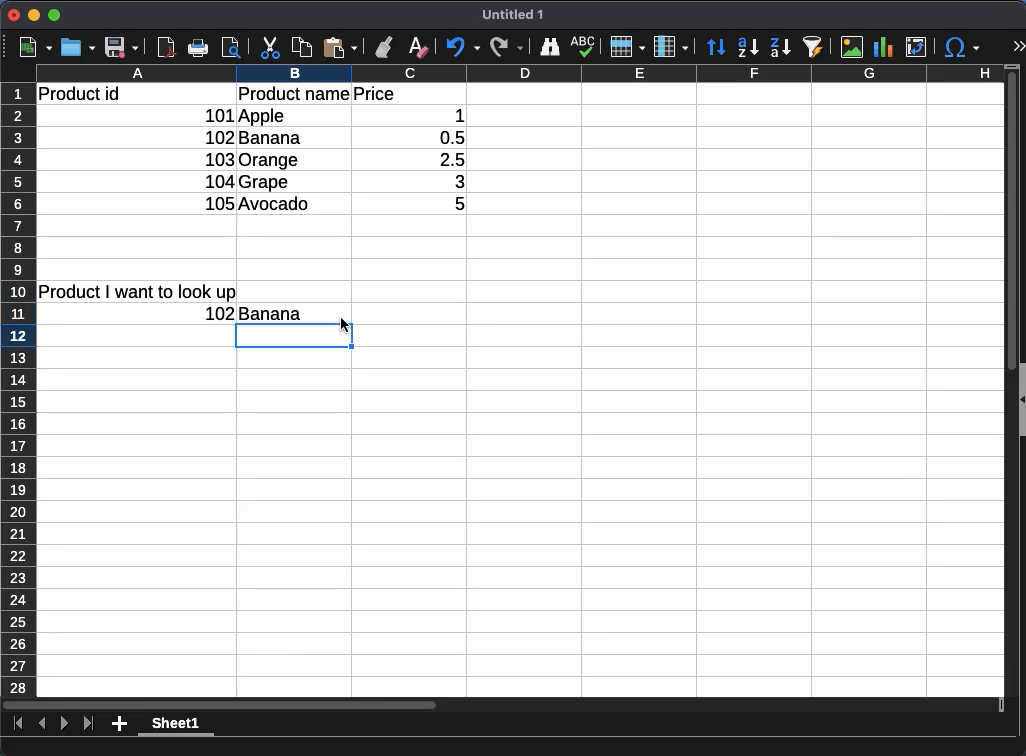  I want to click on paste, so click(340, 47).